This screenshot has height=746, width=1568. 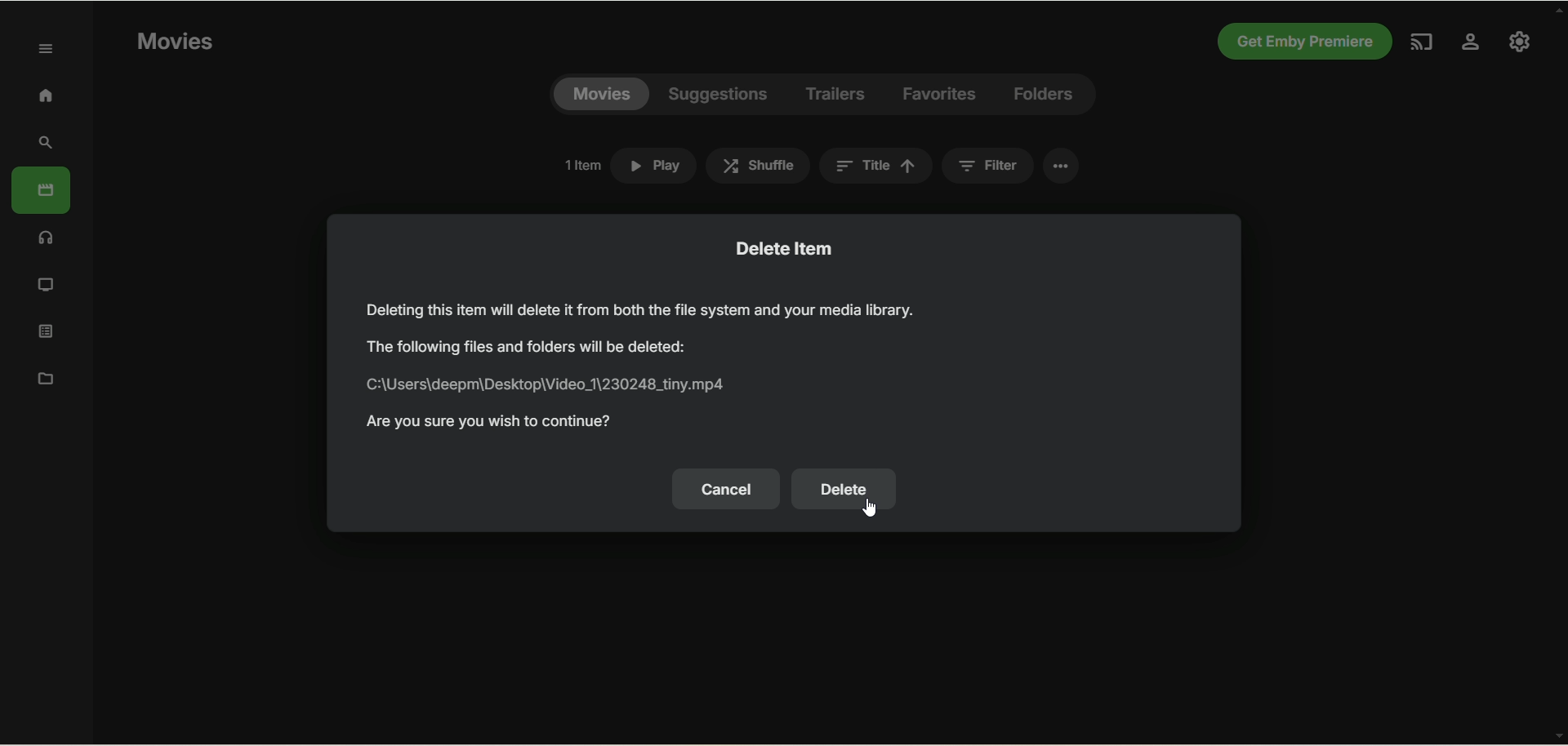 I want to click on home, so click(x=45, y=95).